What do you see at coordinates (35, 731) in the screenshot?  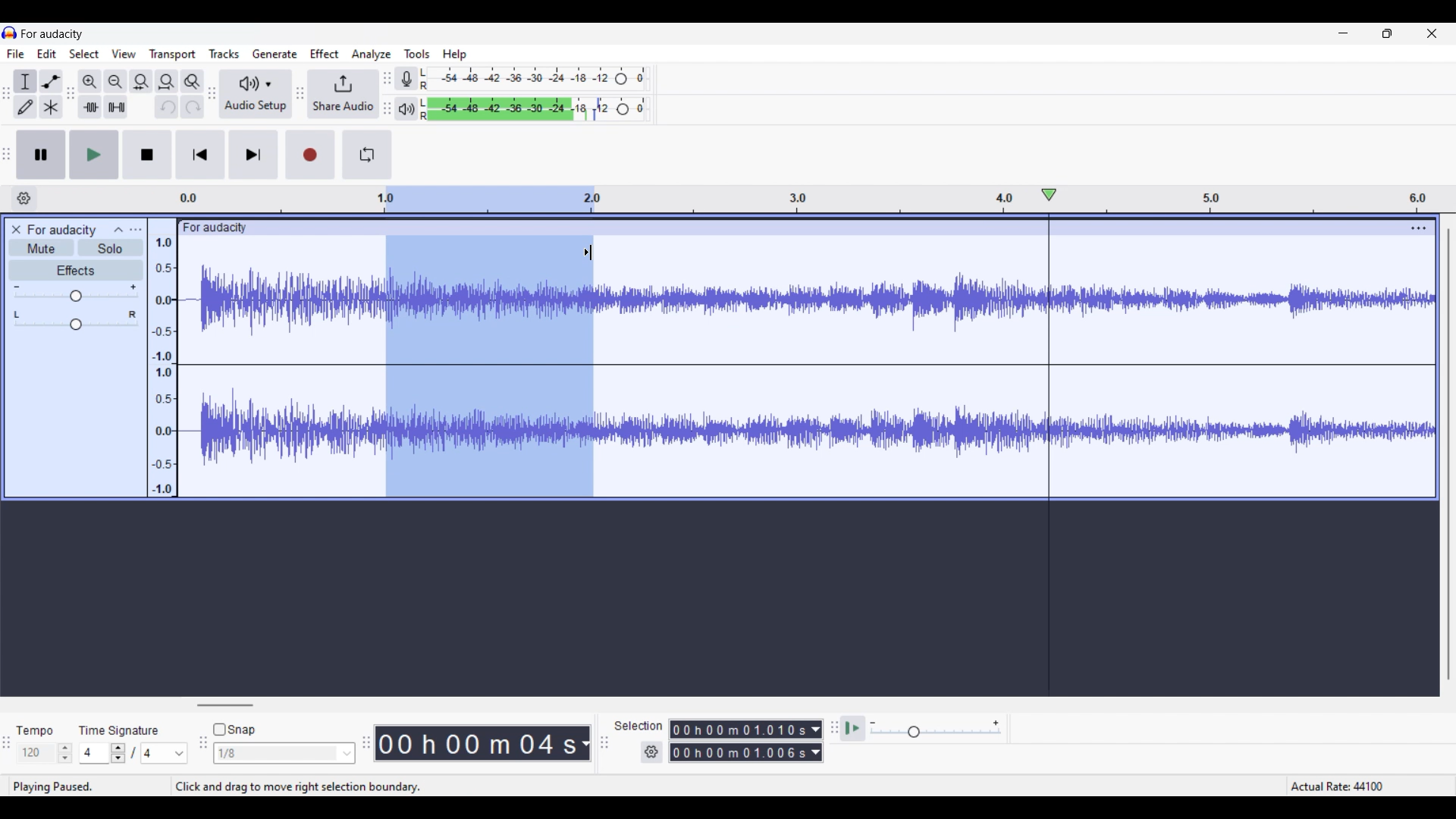 I see `tempo` at bounding box center [35, 731].